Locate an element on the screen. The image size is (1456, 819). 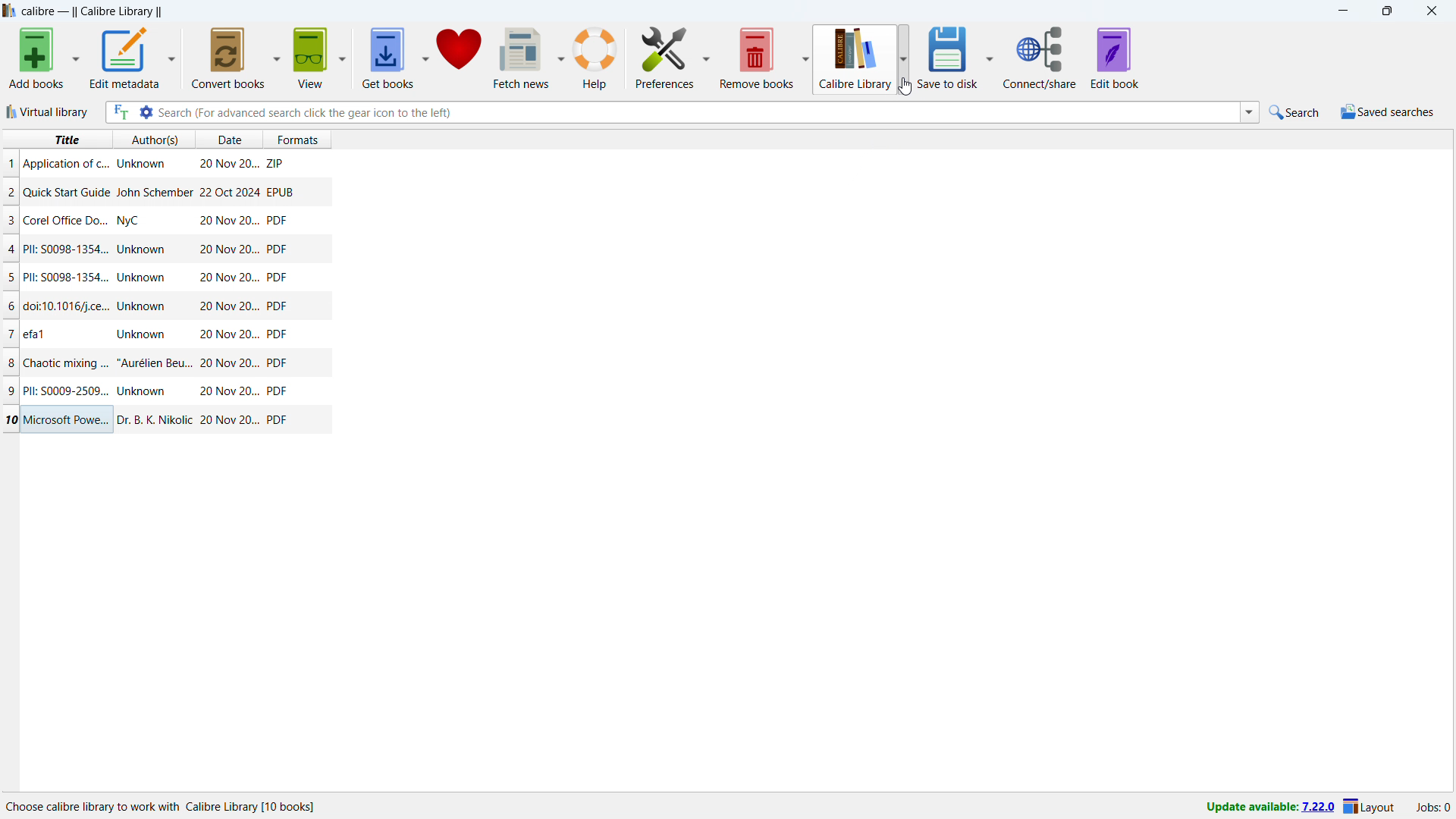
remove books options is located at coordinates (805, 58).